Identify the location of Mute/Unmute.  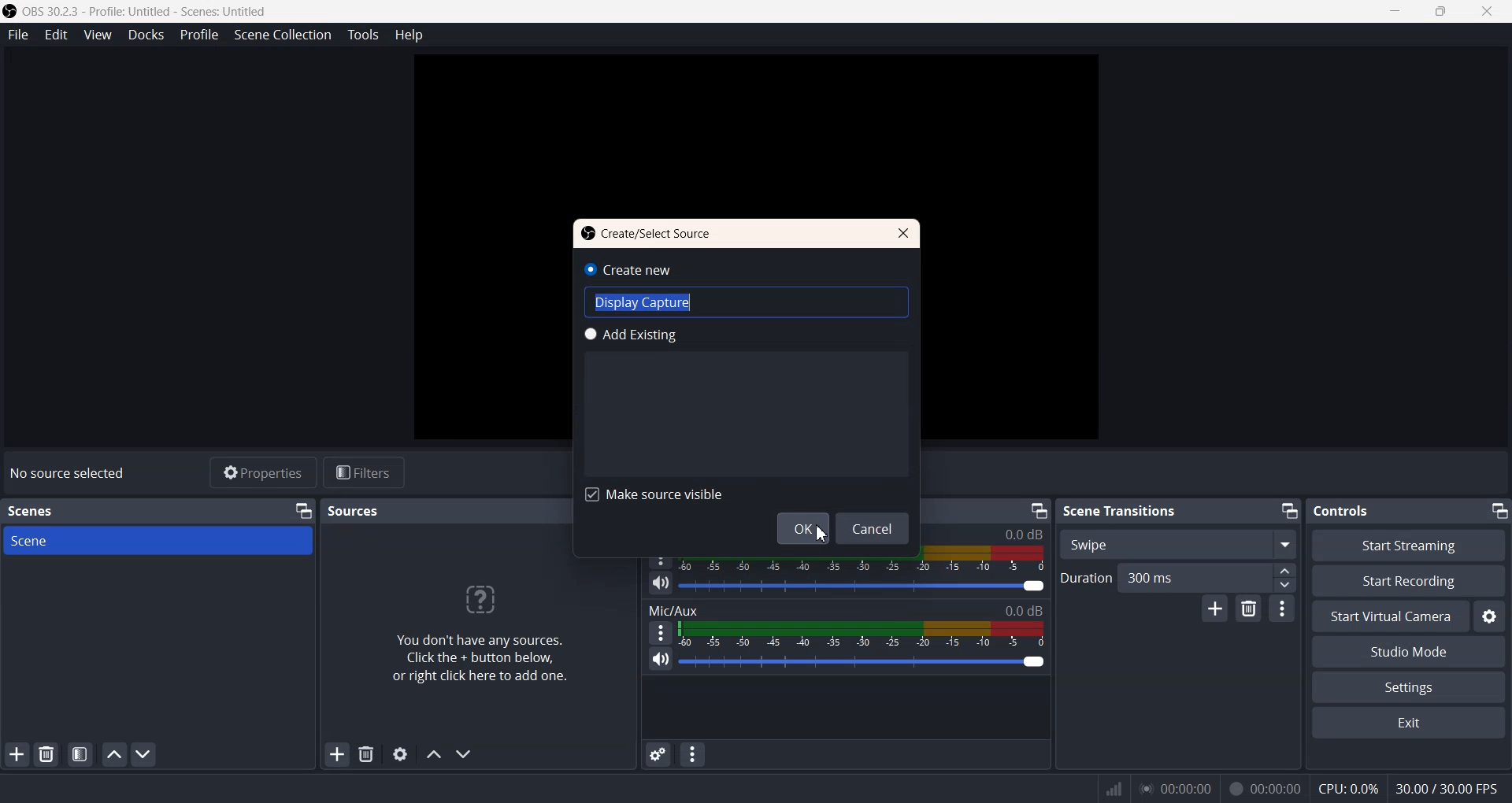
(660, 660).